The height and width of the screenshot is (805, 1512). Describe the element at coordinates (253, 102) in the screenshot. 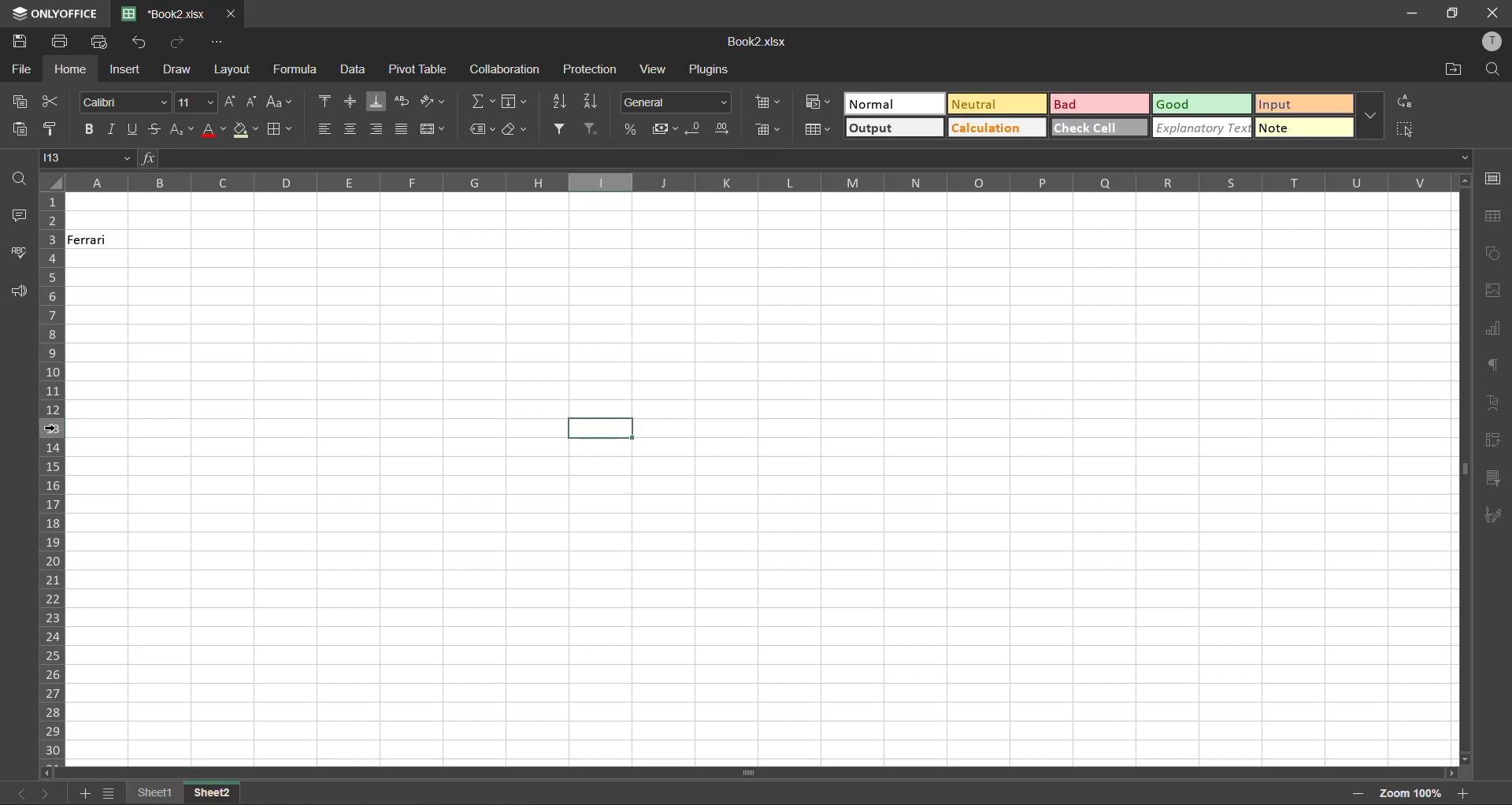

I see `decrement size` at that location.